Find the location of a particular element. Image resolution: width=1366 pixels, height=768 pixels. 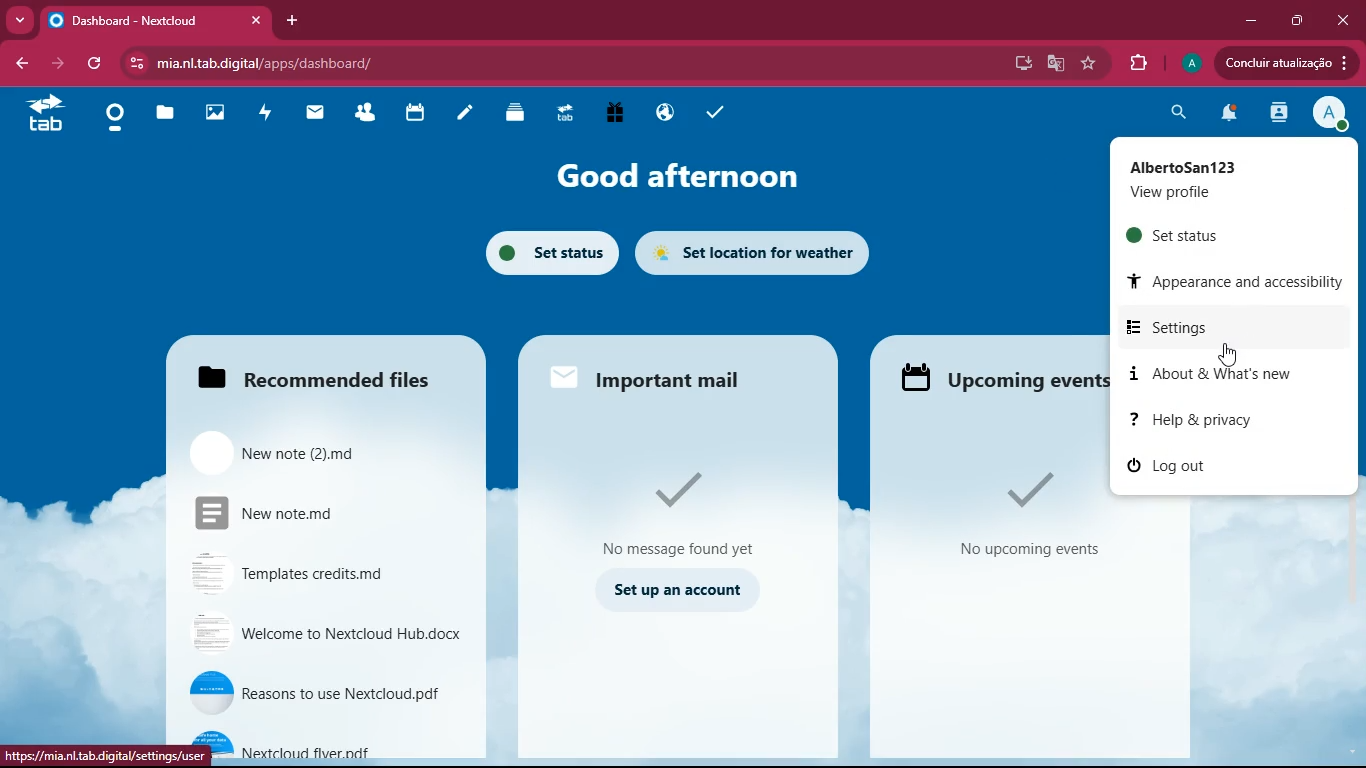

log out is located at coordinates (1163, 465).